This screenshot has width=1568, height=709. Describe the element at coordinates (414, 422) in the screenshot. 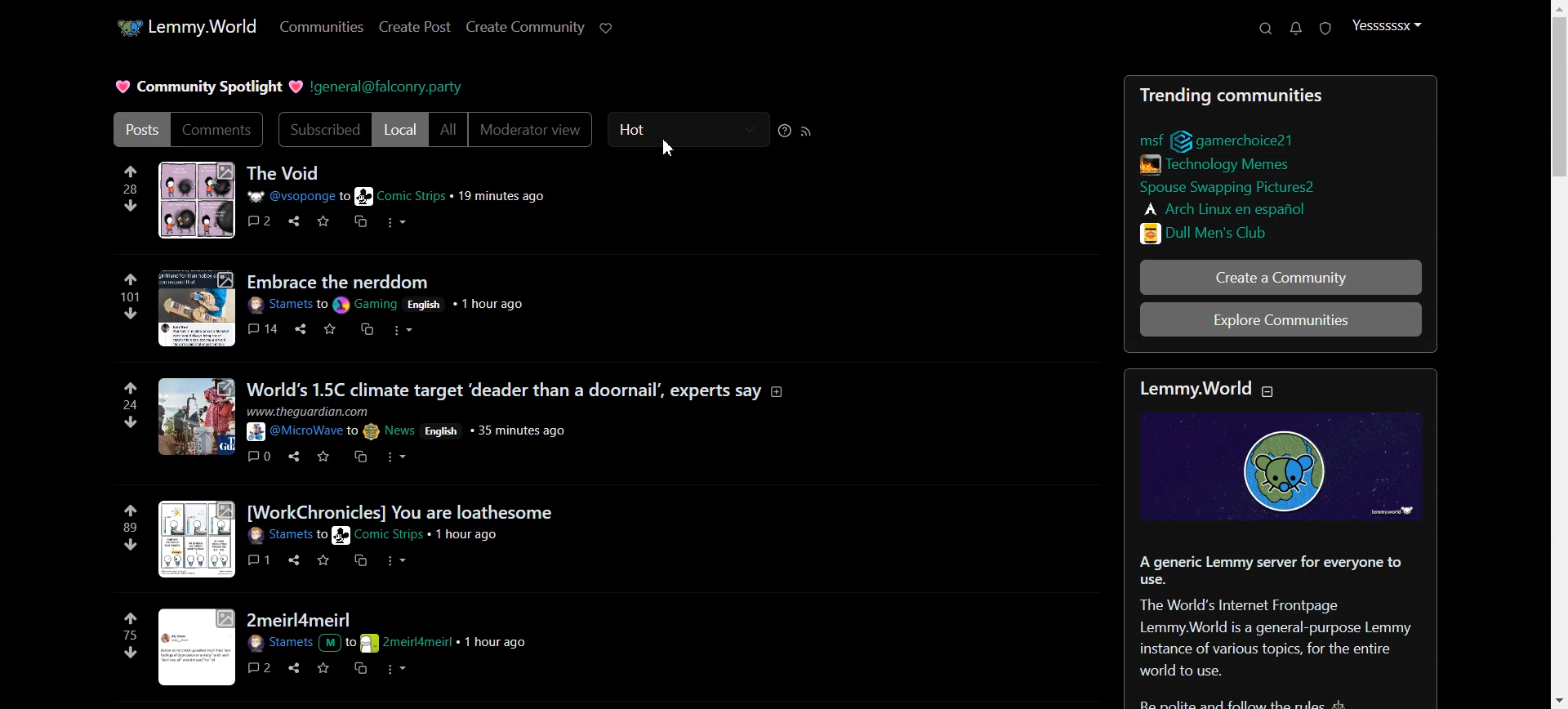

I see `post details` at that location.